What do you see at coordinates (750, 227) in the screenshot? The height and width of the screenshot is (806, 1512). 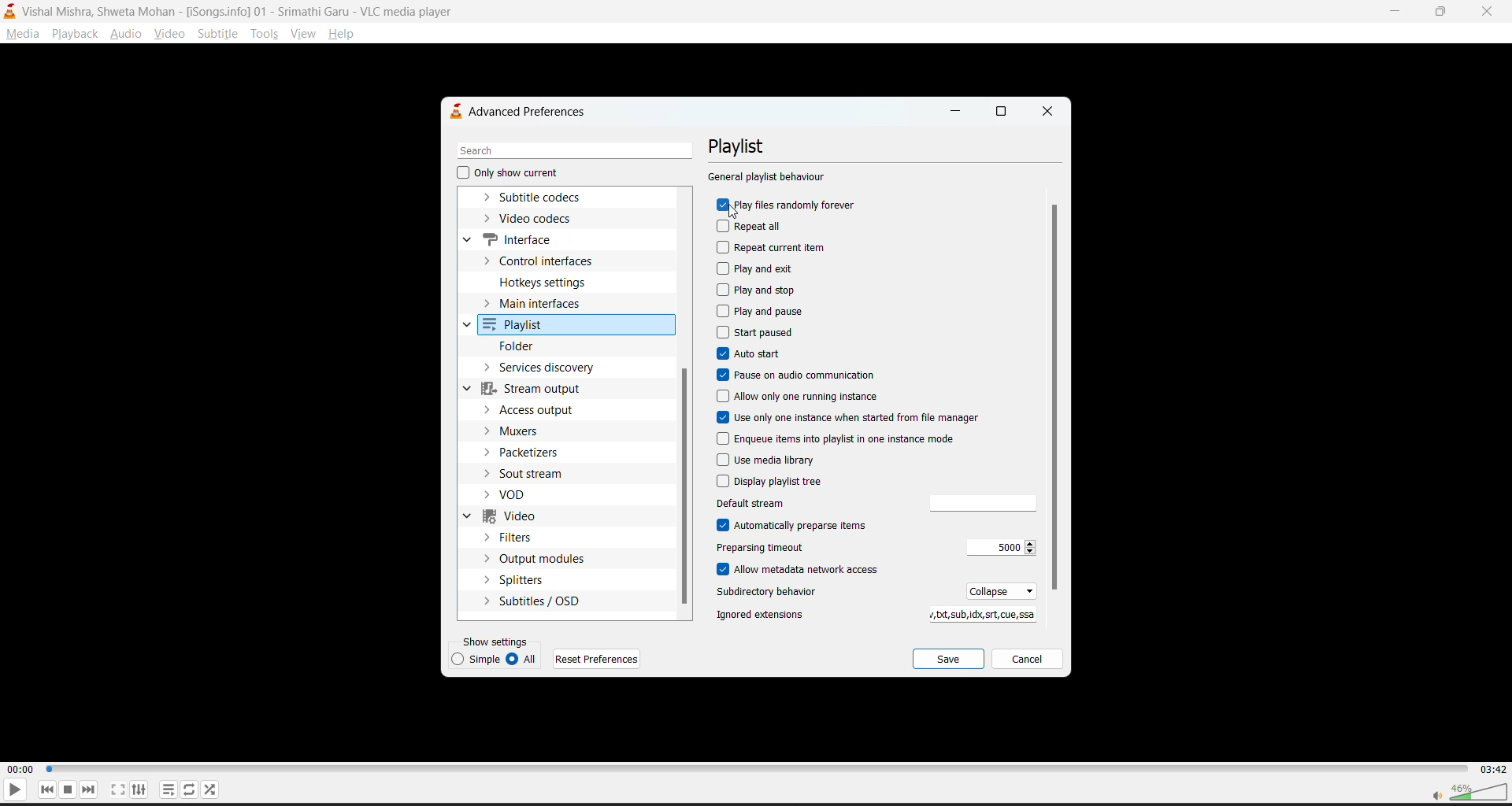 I see `repeat all` at bounding box center [750, 227].